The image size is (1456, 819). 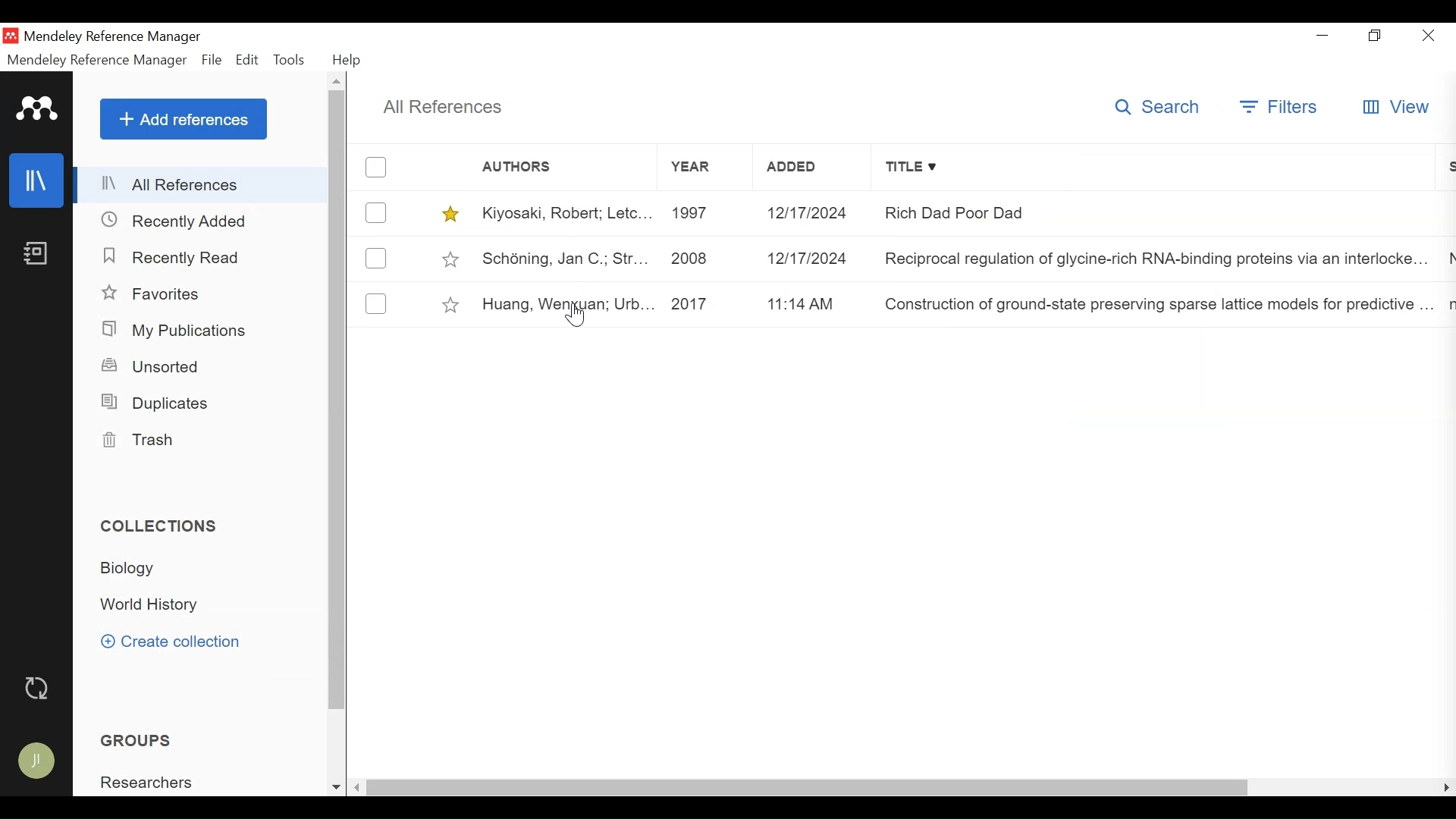 I want to click on Collections, so click(x=161, y=528).